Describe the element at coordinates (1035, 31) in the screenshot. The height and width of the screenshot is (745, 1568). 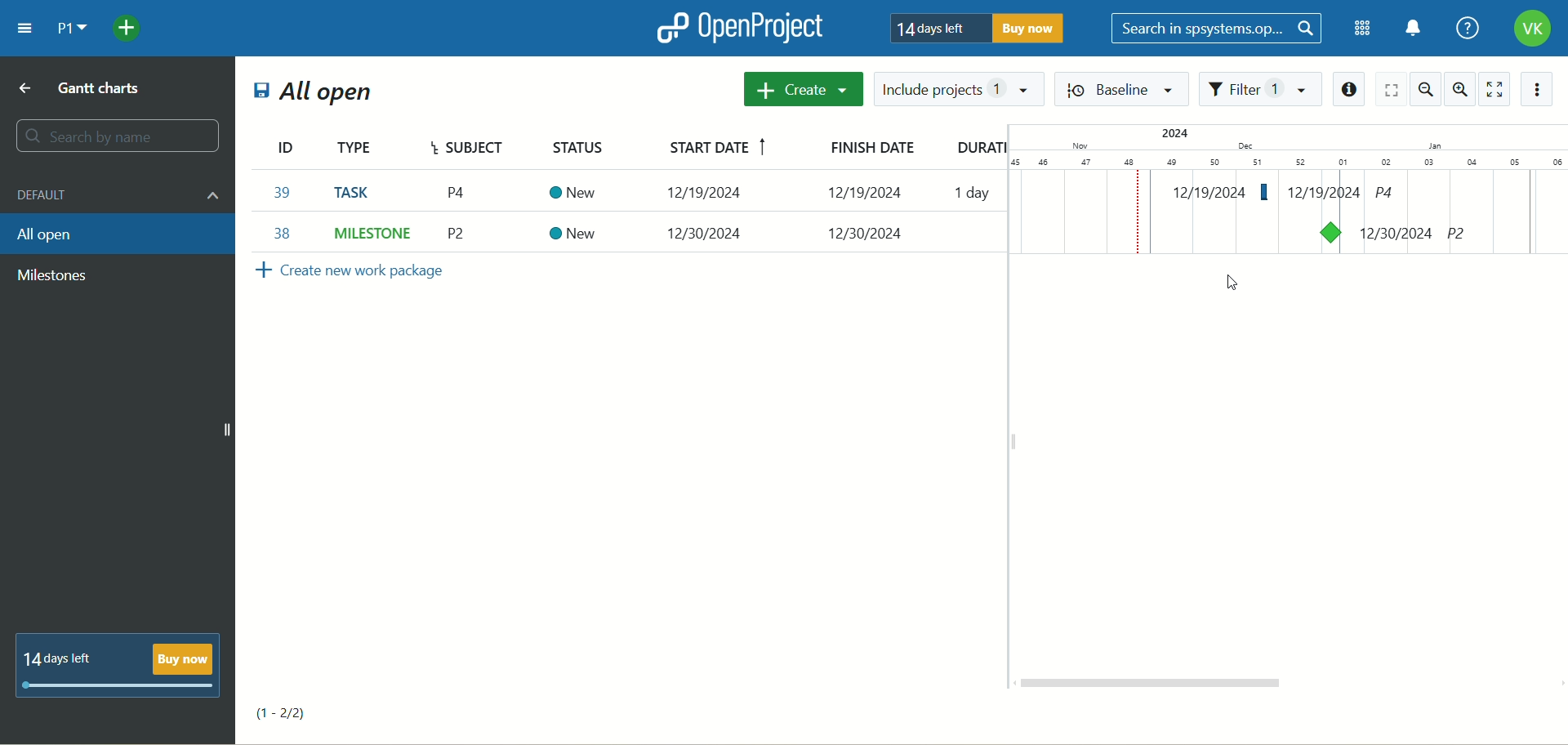
I see `buy now` at that location.